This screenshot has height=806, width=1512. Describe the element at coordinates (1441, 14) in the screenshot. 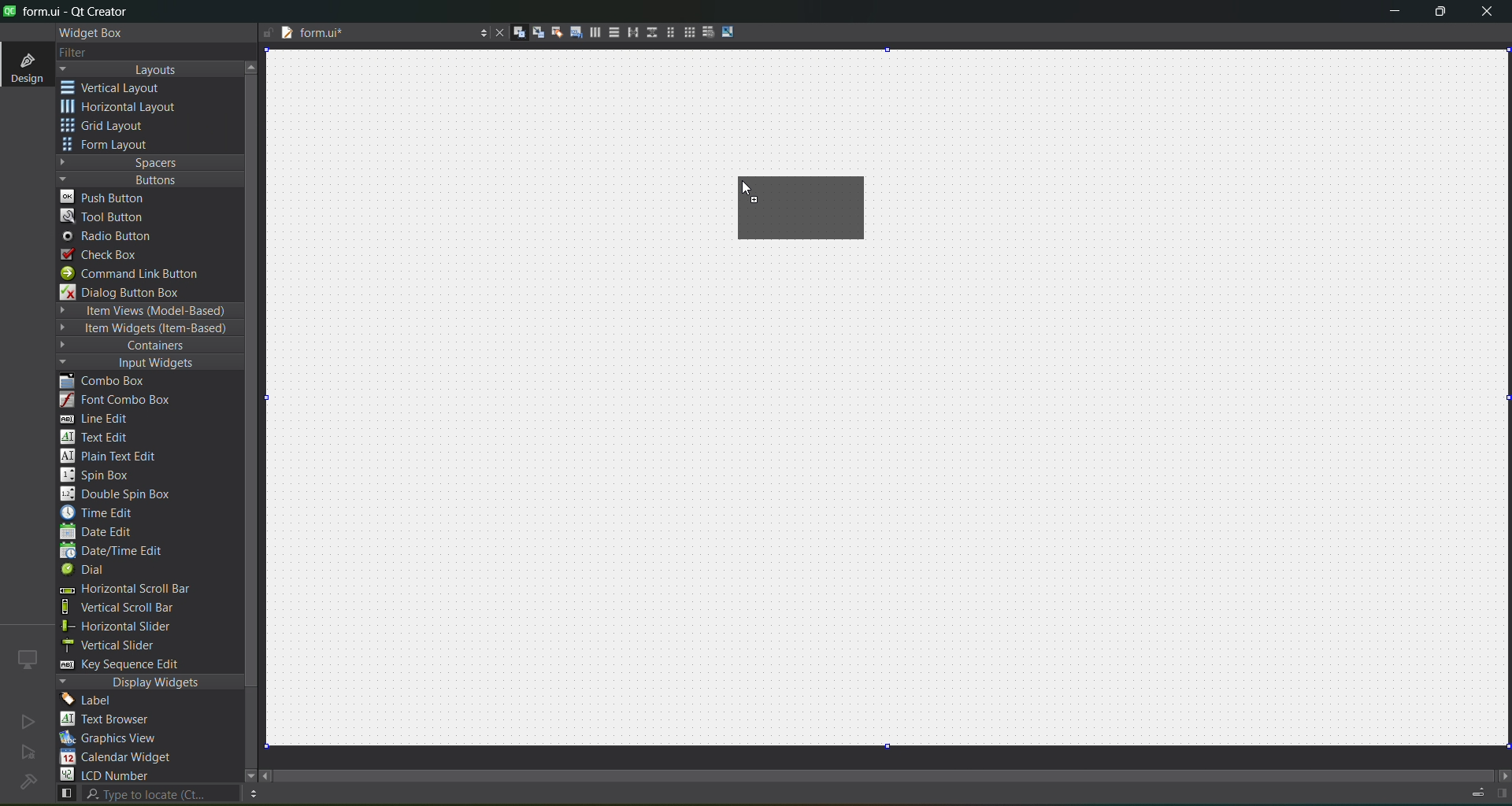

I see `maximize` at that location.